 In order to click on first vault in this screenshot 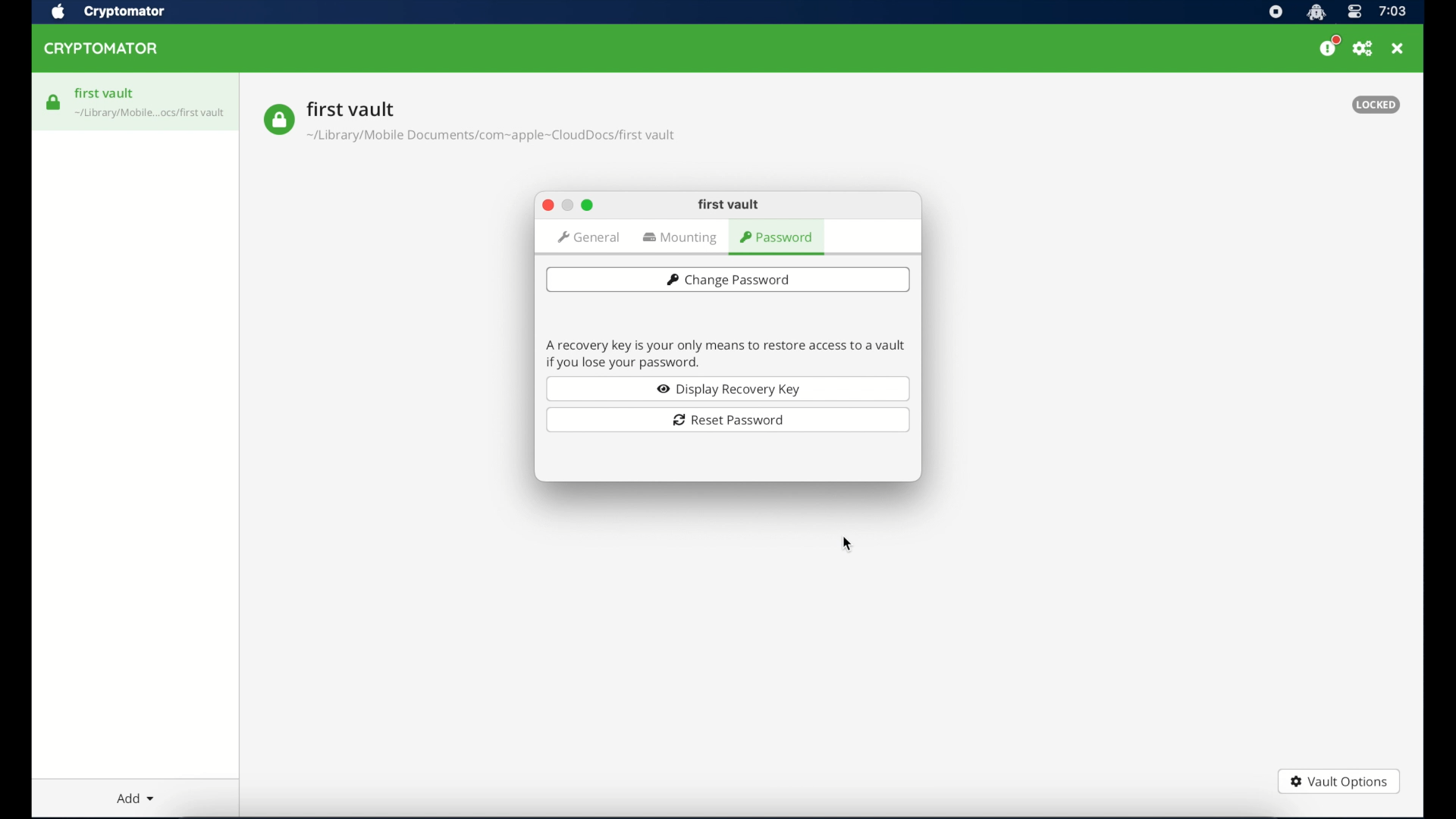, I will do `click(105, 93)`.